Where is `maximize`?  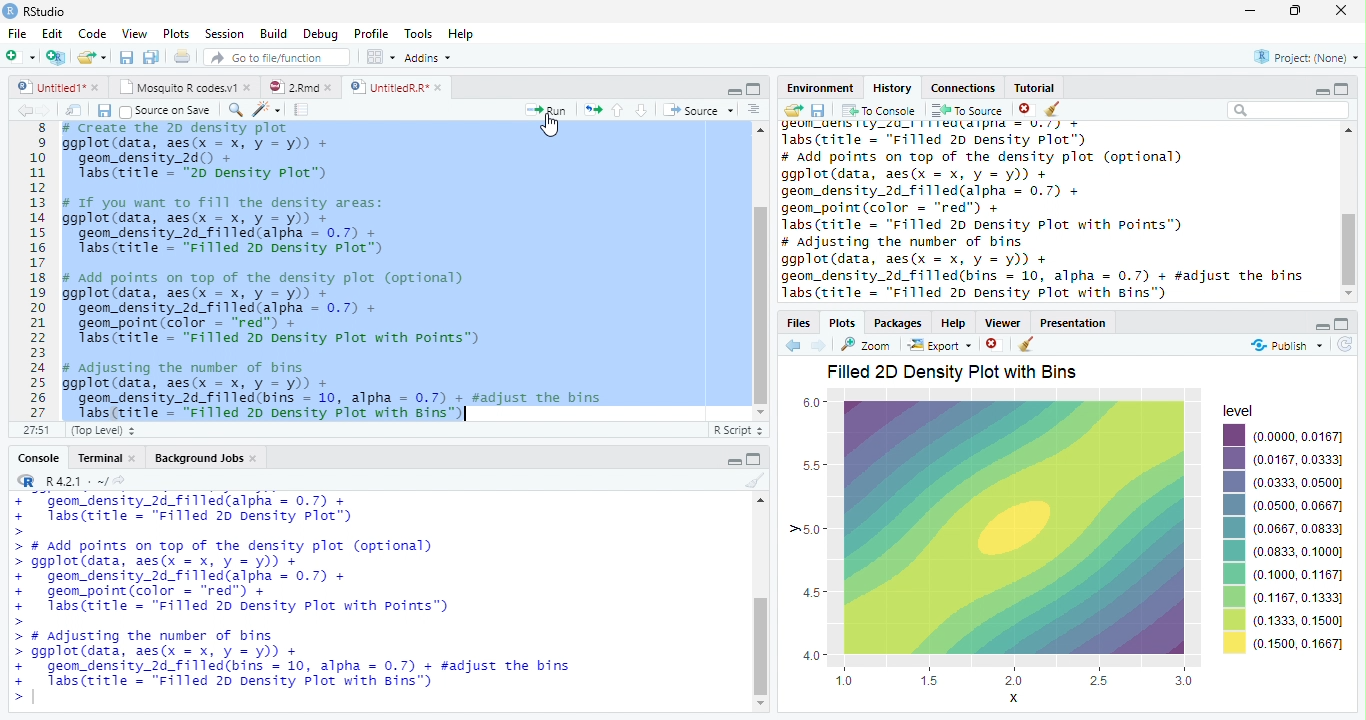
maximize is located at coordinates (754, 88).